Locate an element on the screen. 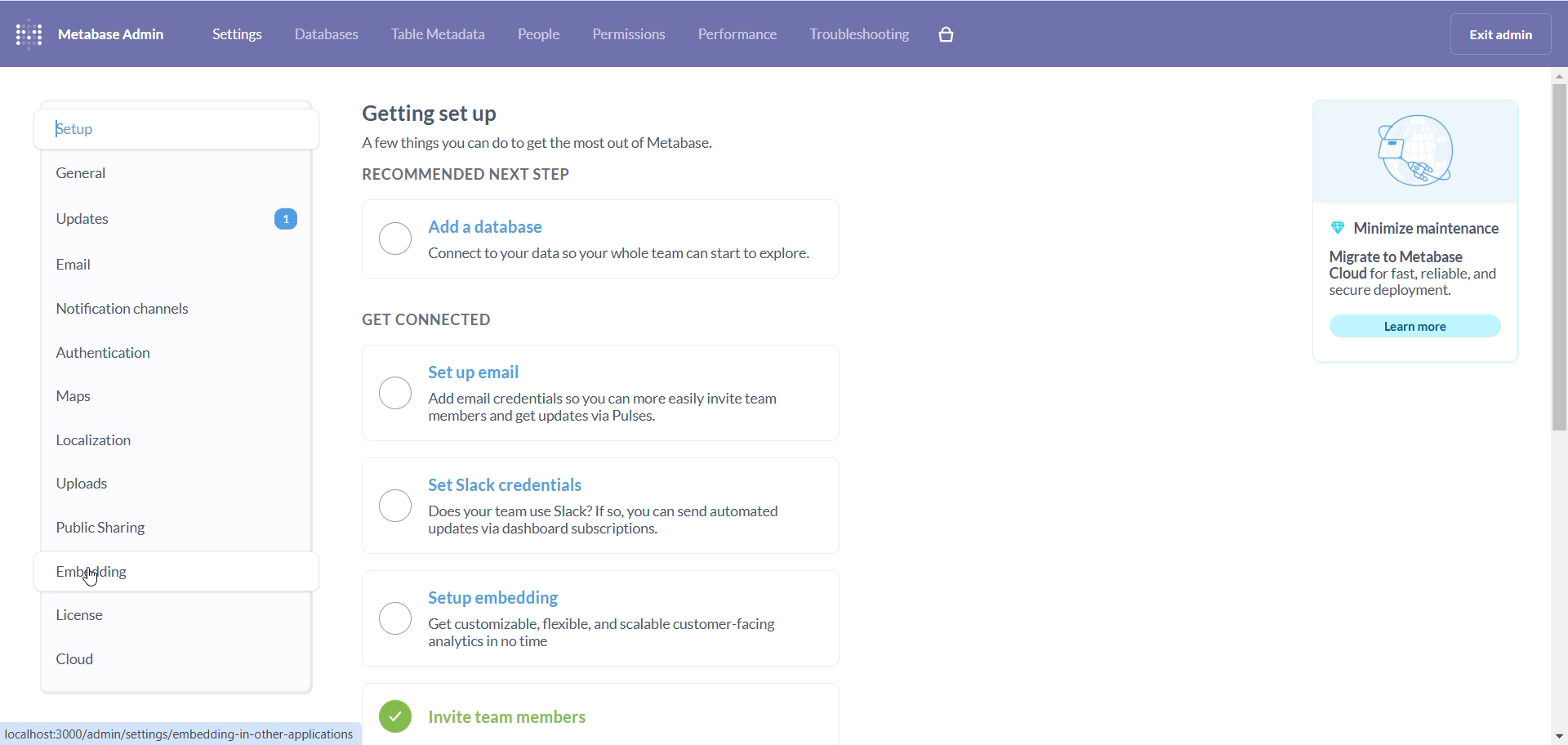  localhost:3000/admin/settings/embedding-in-other-applications is located at coordinates (180, 733).